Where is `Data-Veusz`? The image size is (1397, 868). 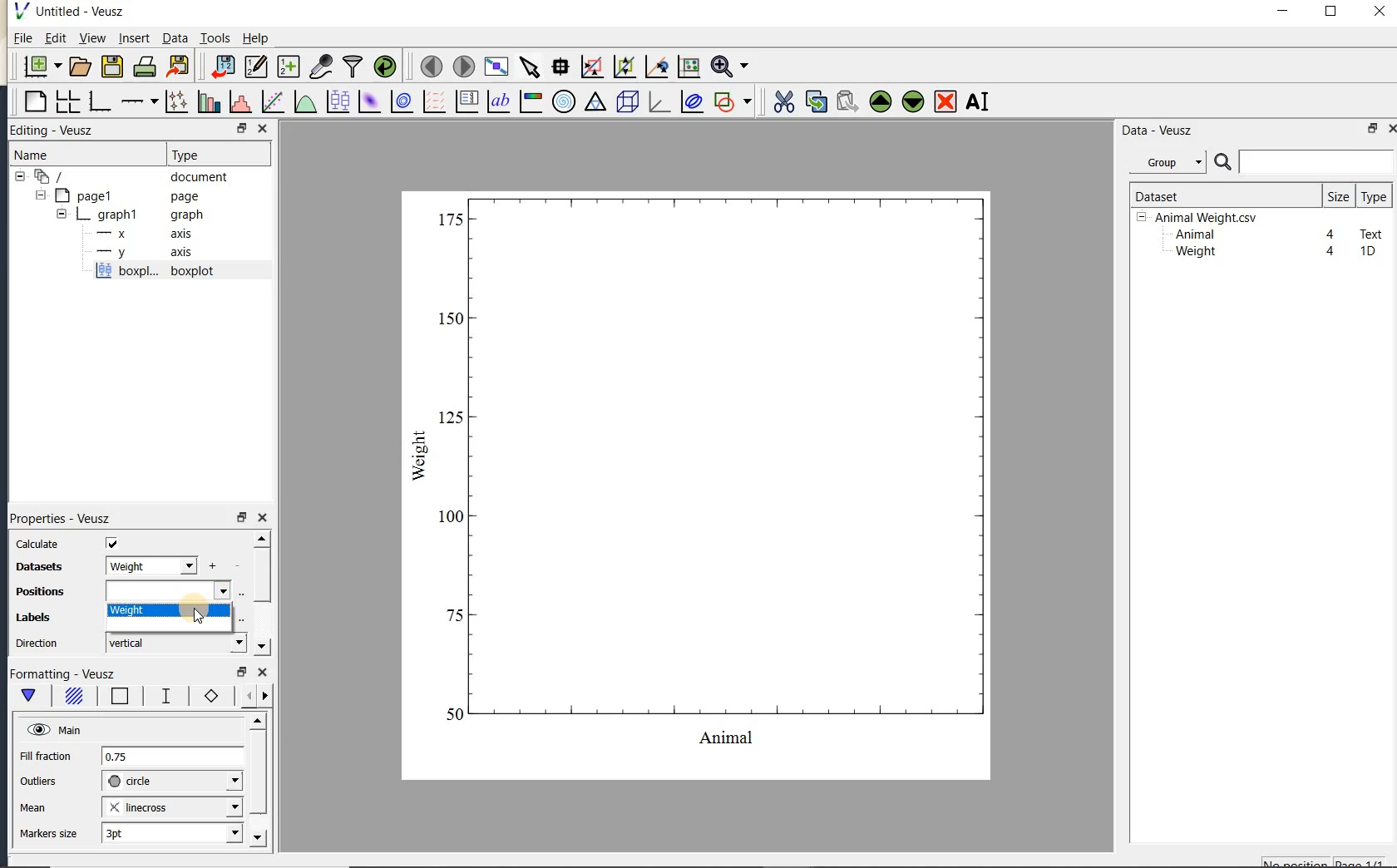
Data-Veusz is located at coordinates (1158, 131).